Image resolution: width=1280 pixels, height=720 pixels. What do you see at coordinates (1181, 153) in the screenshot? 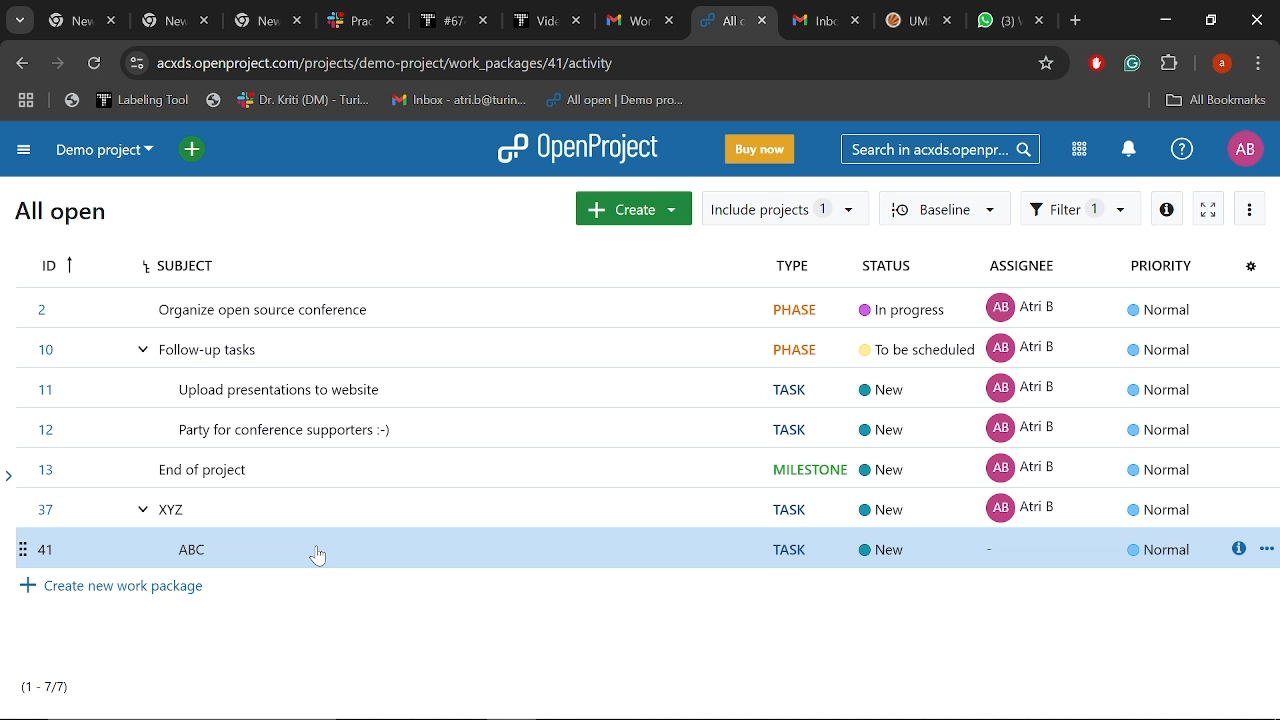
I see `Help` at bounding box center [1181, 153].